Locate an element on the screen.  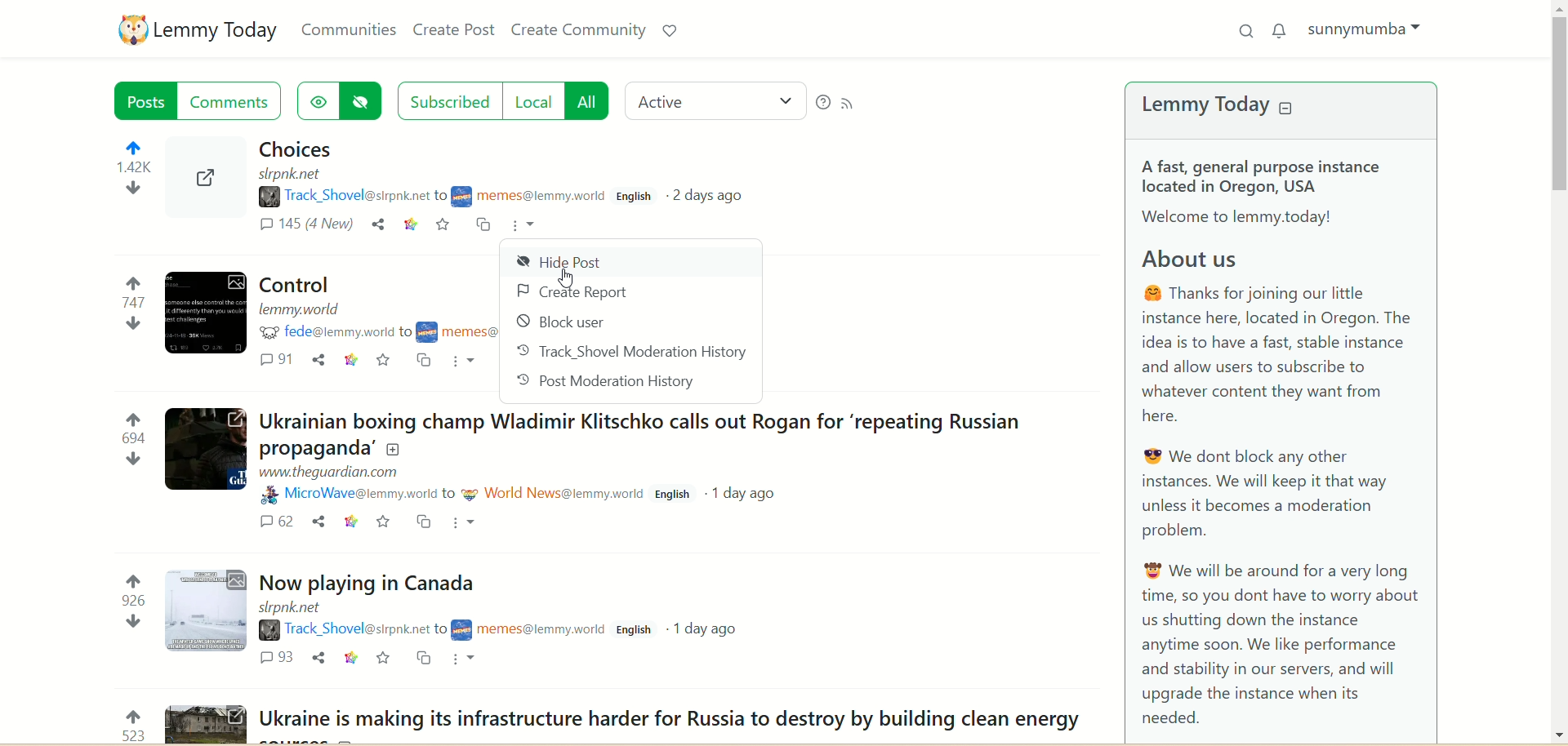
votes up and down is located at coordinates (122, 604).